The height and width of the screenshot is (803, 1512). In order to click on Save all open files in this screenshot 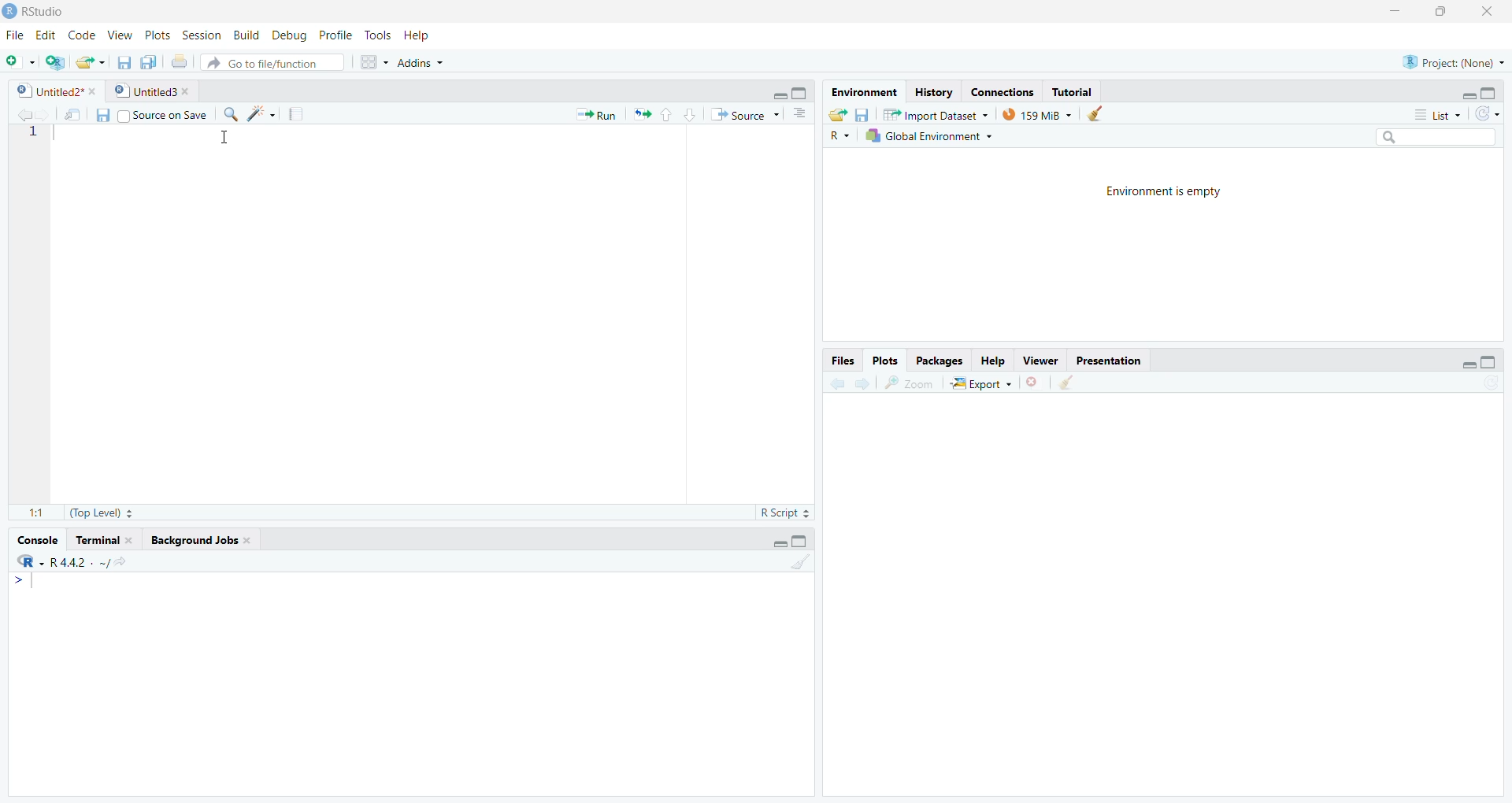, I will do `click(150, 62)`.